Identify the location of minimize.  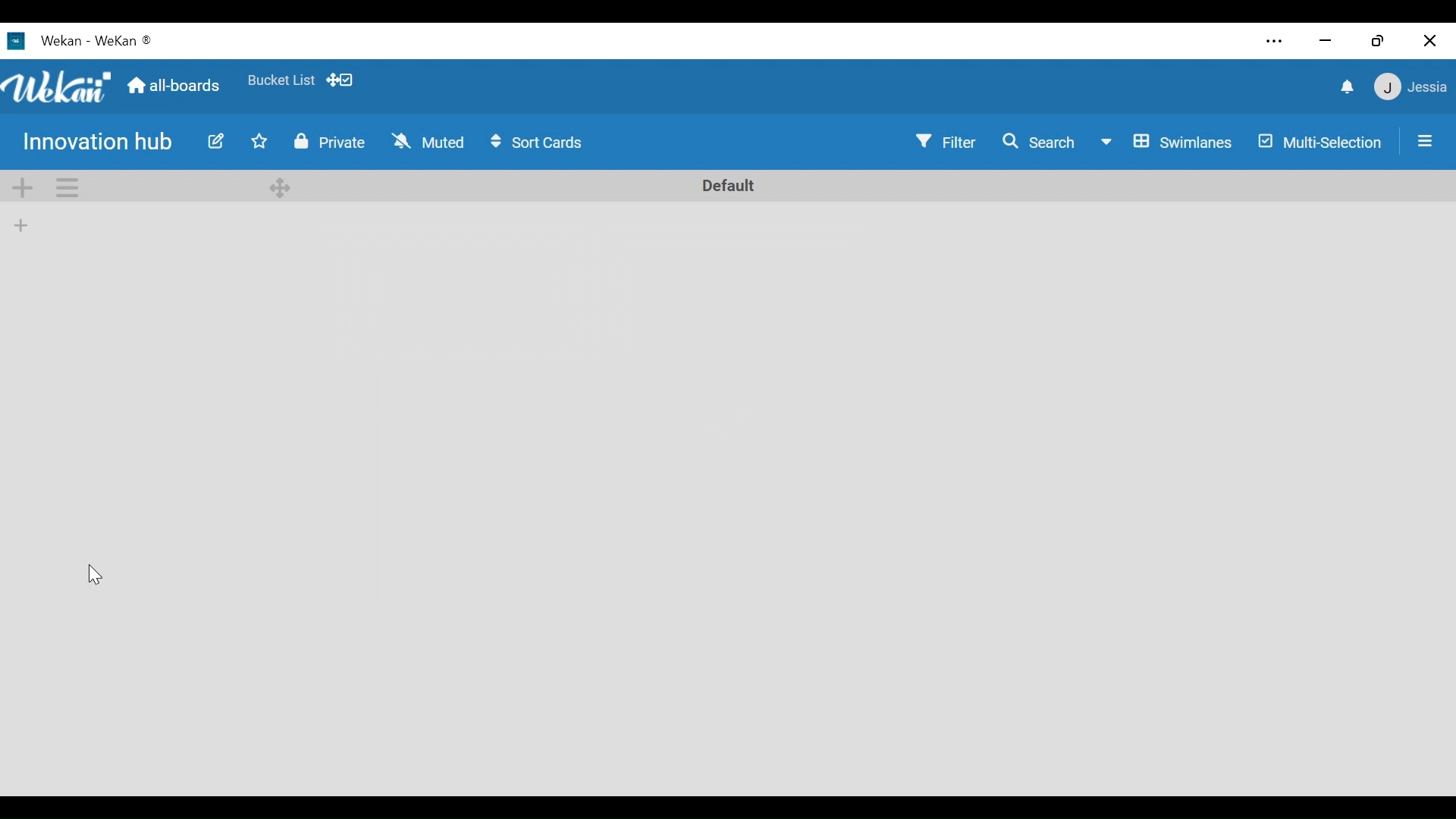
(1327, 39).